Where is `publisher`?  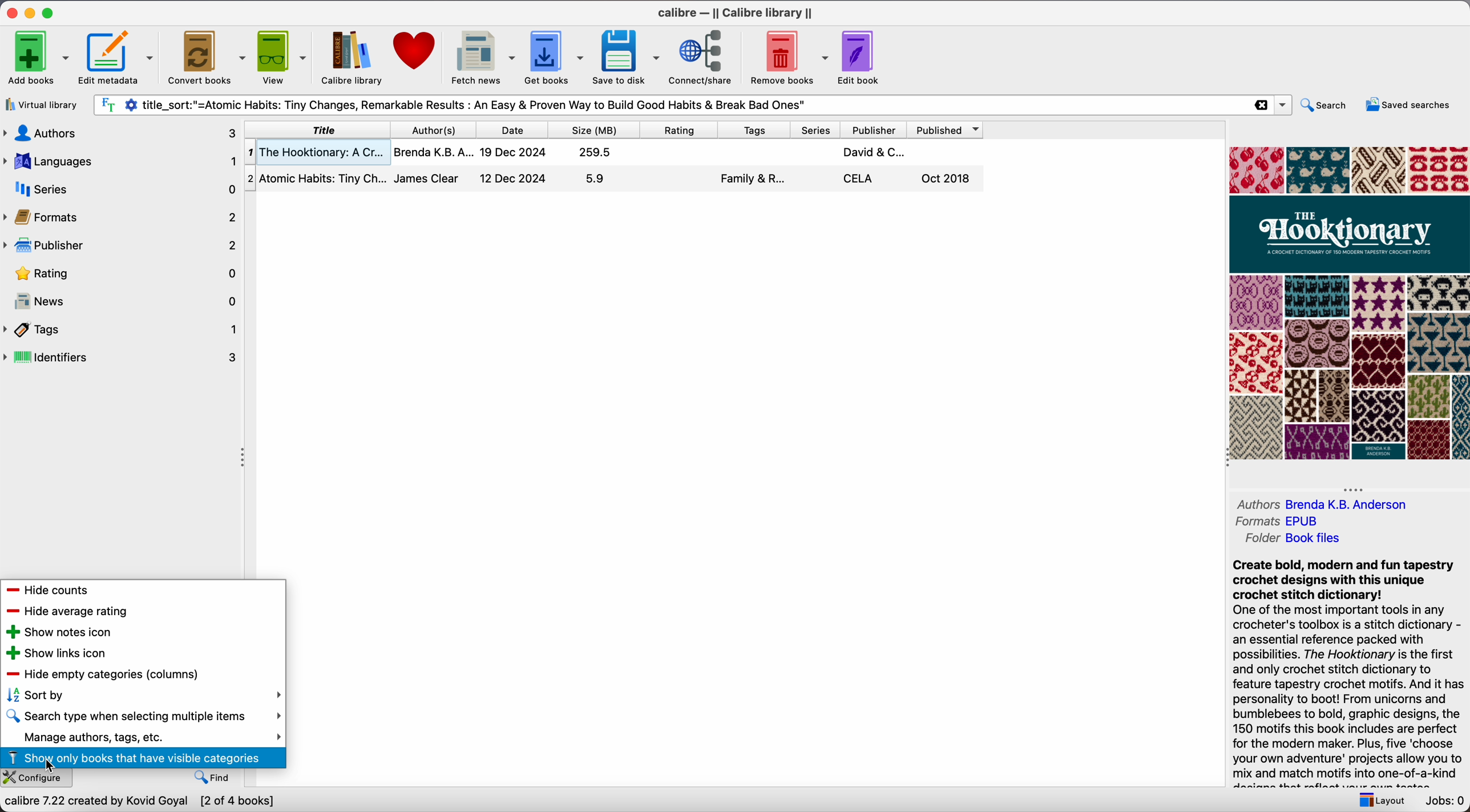 publisher is located at coordinates (120, 245).